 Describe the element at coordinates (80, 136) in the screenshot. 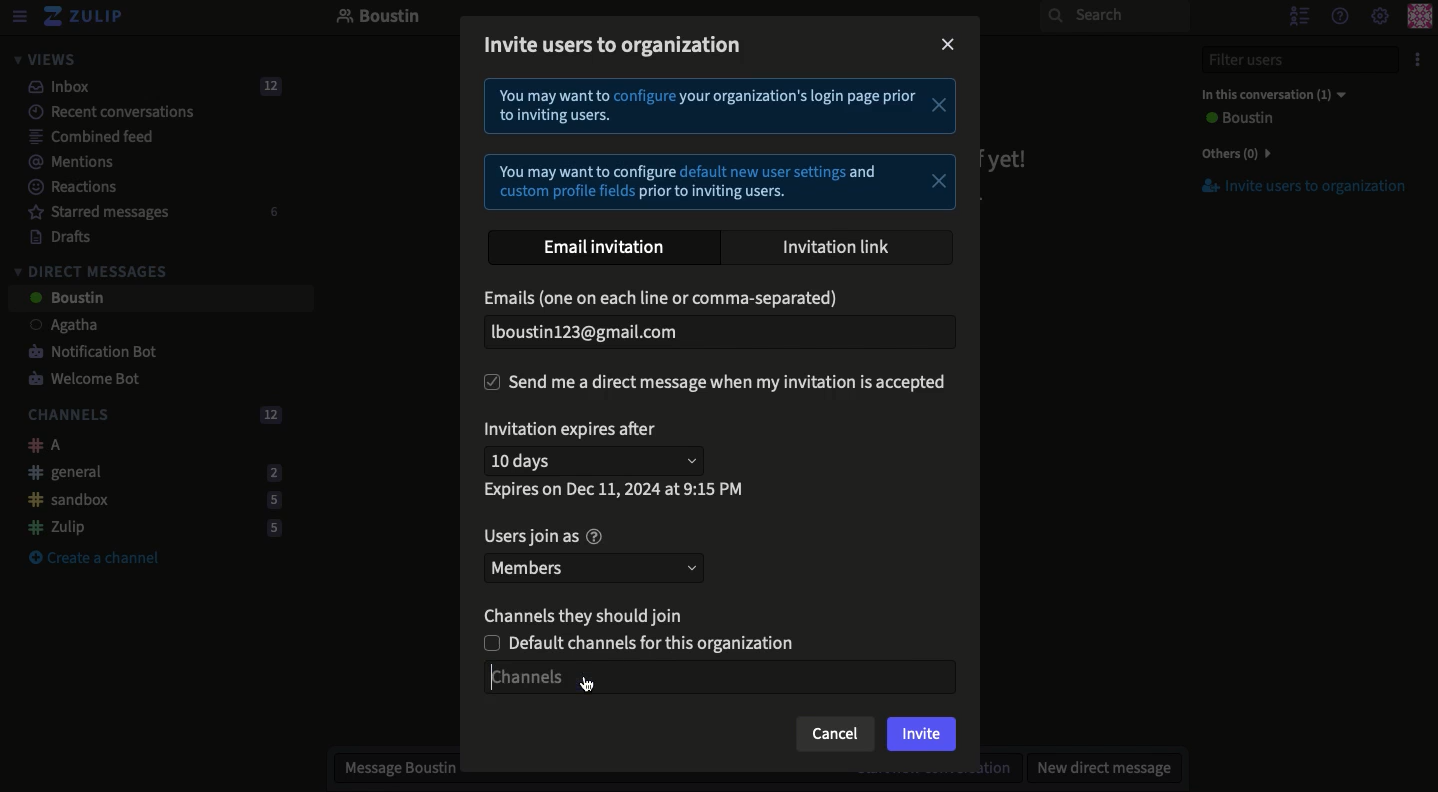

I see `Combined feed` at that location.